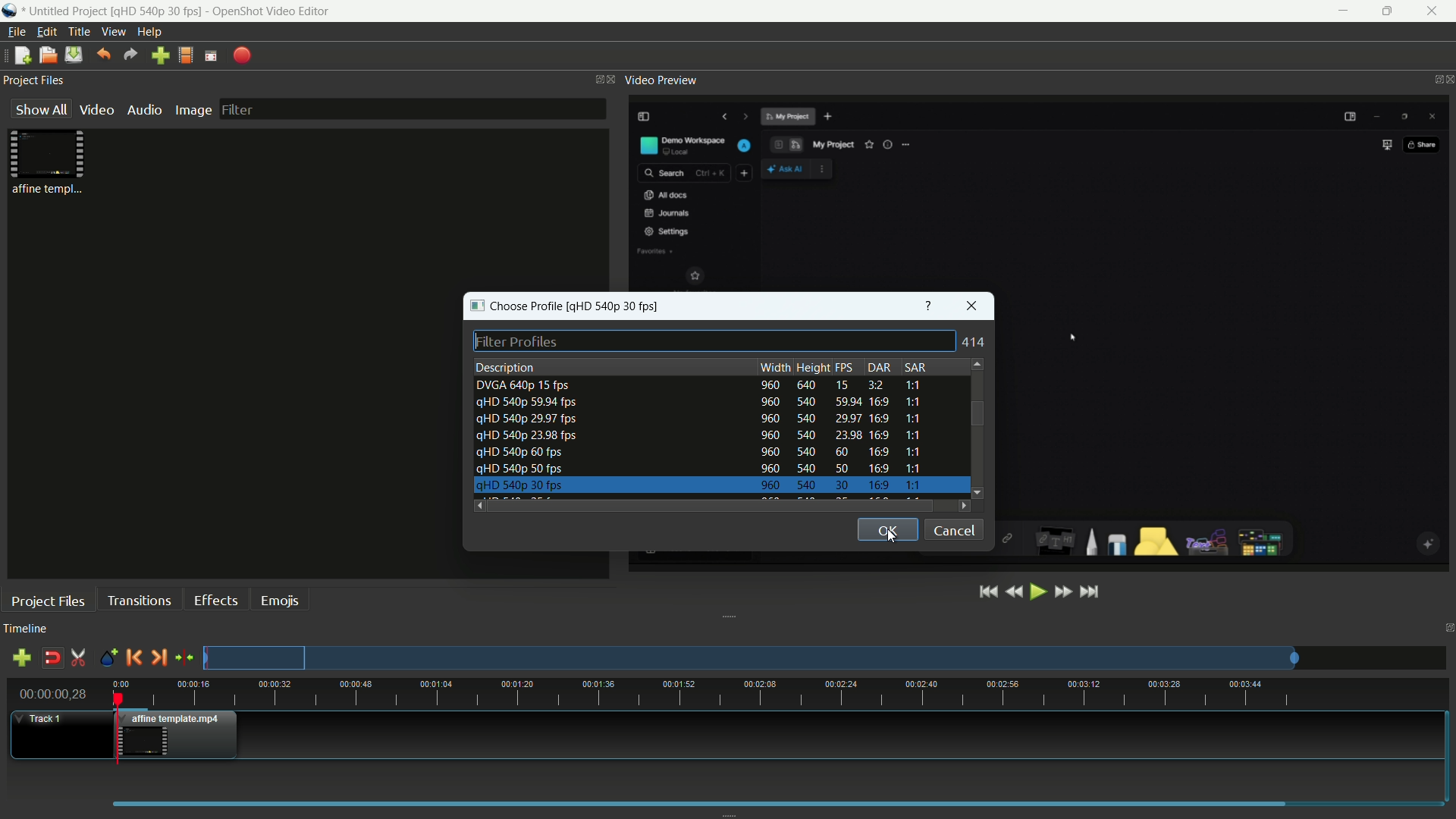 The width and height of the screenshot is (1456, 819). What do you see at coordinates (990, 592) in the screenshot?
I see `jump to start` at bounding box center [990, 592].